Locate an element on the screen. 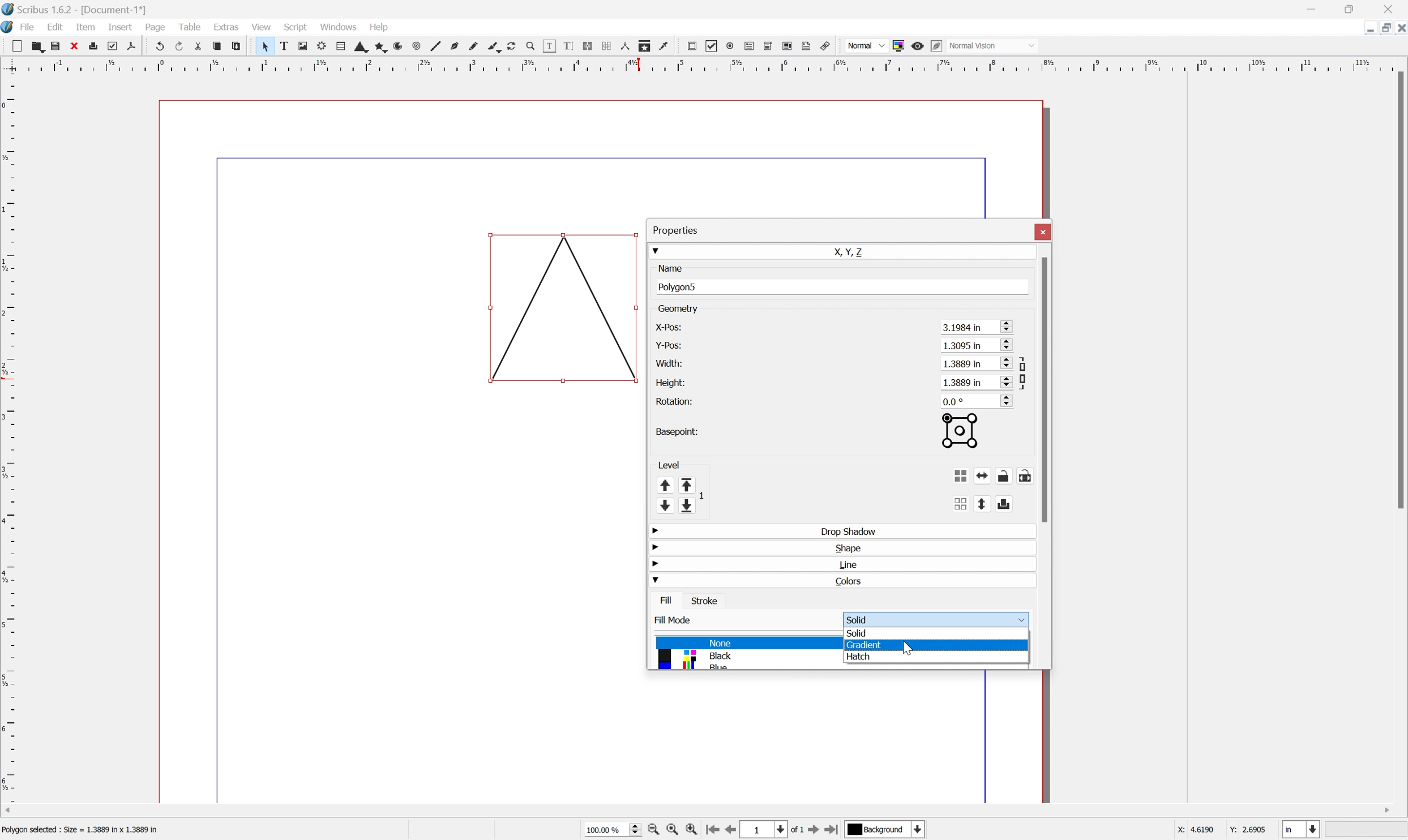 The width and height of the screenshot is (1408, 840). Cut is located at coordinates (196, 46).